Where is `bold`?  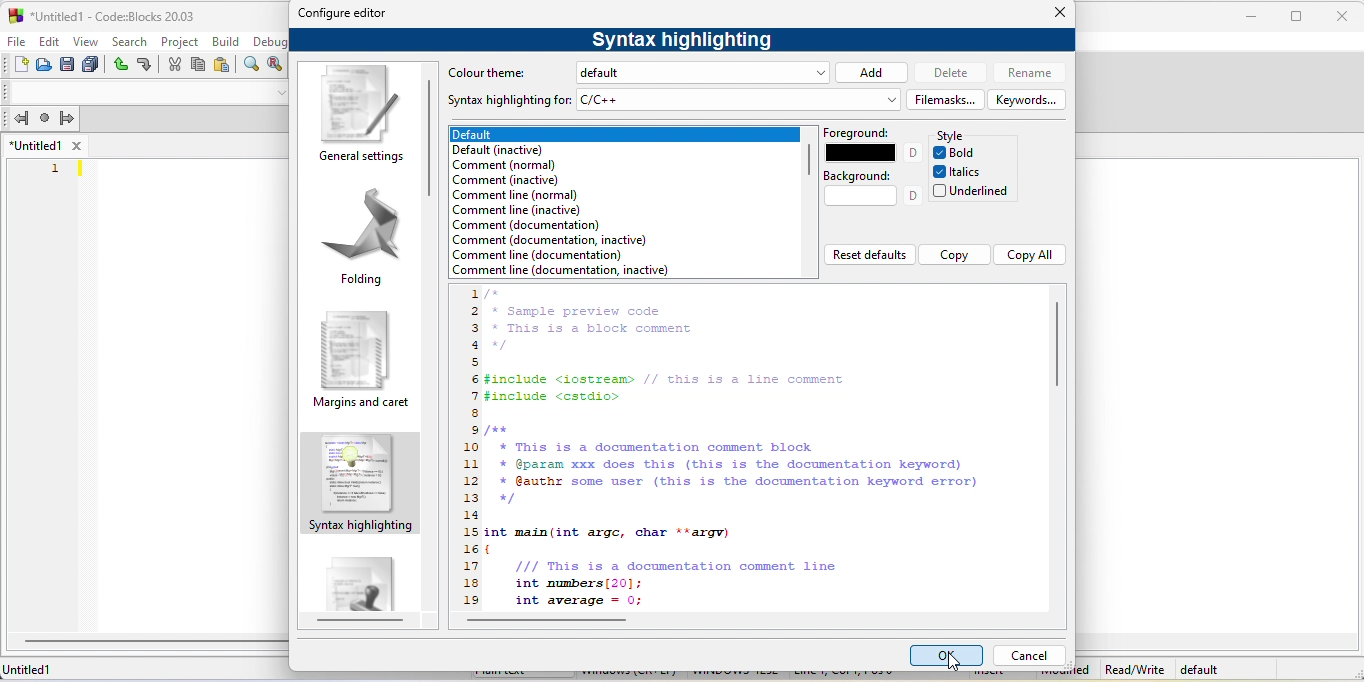
bold is located at coordinates (960, 153).